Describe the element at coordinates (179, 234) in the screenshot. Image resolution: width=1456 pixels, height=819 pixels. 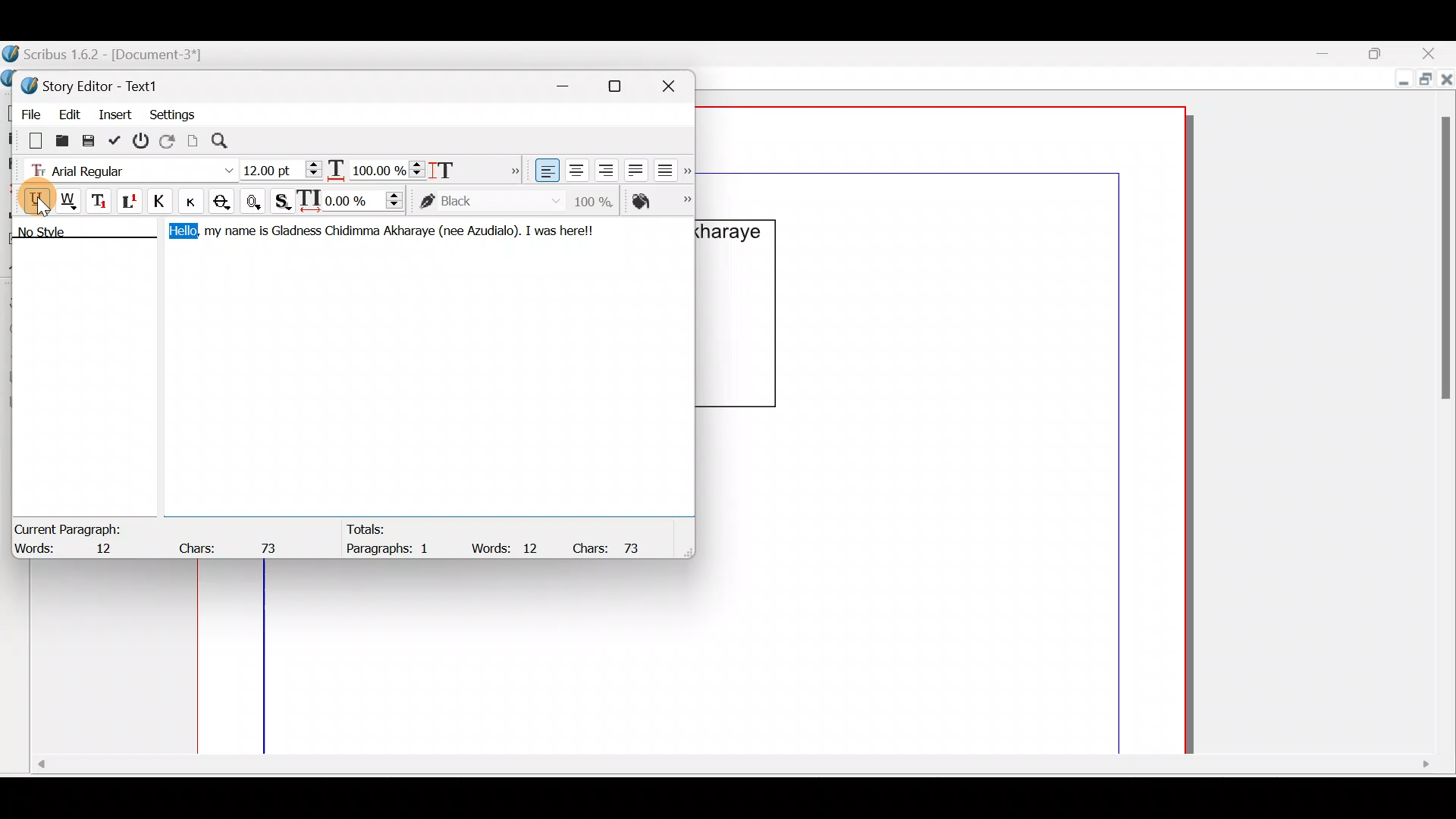
I see `Hello,` at that location.